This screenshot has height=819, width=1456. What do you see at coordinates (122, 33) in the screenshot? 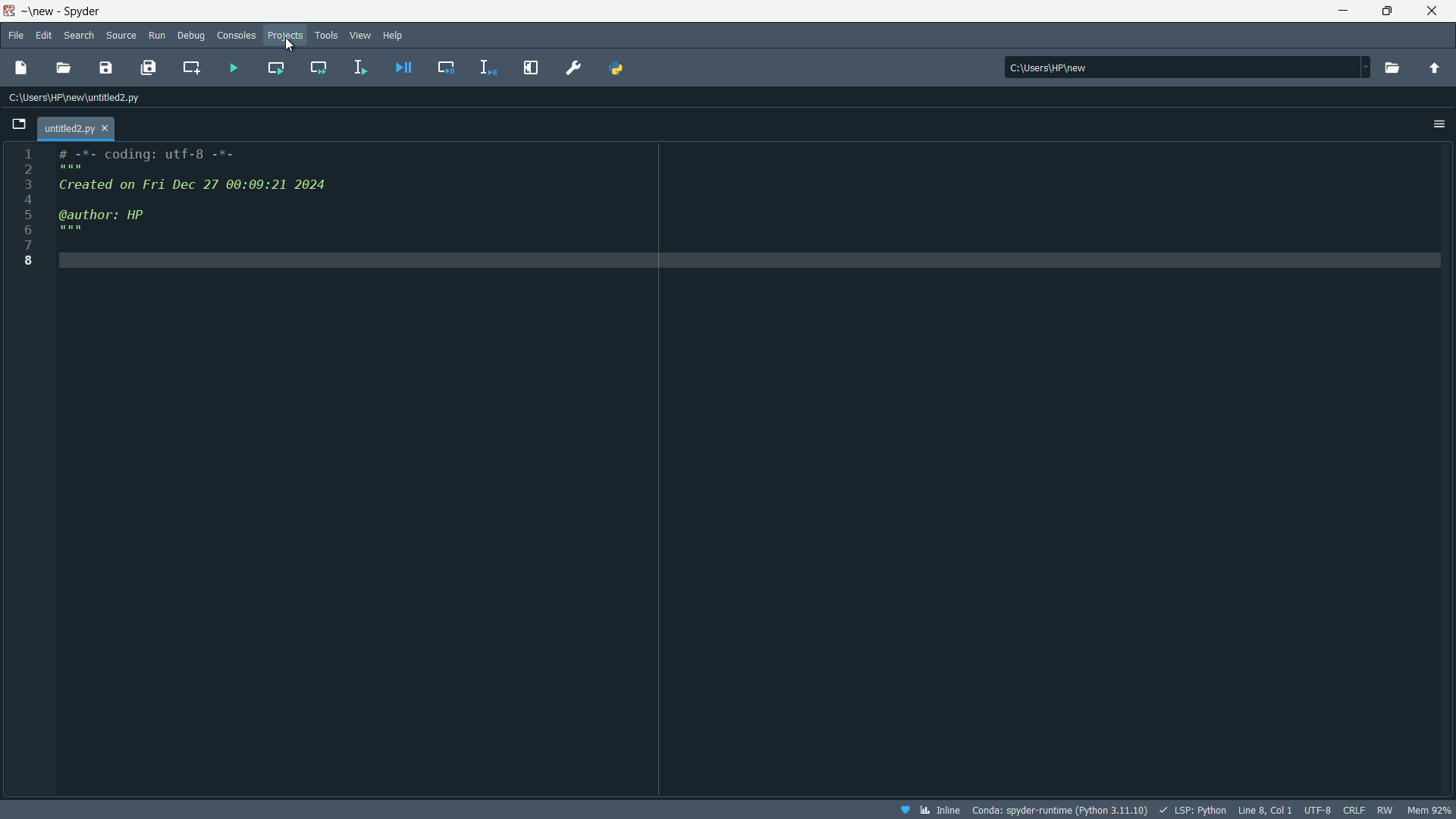
I see `Source` at bounding box center [122, 33].